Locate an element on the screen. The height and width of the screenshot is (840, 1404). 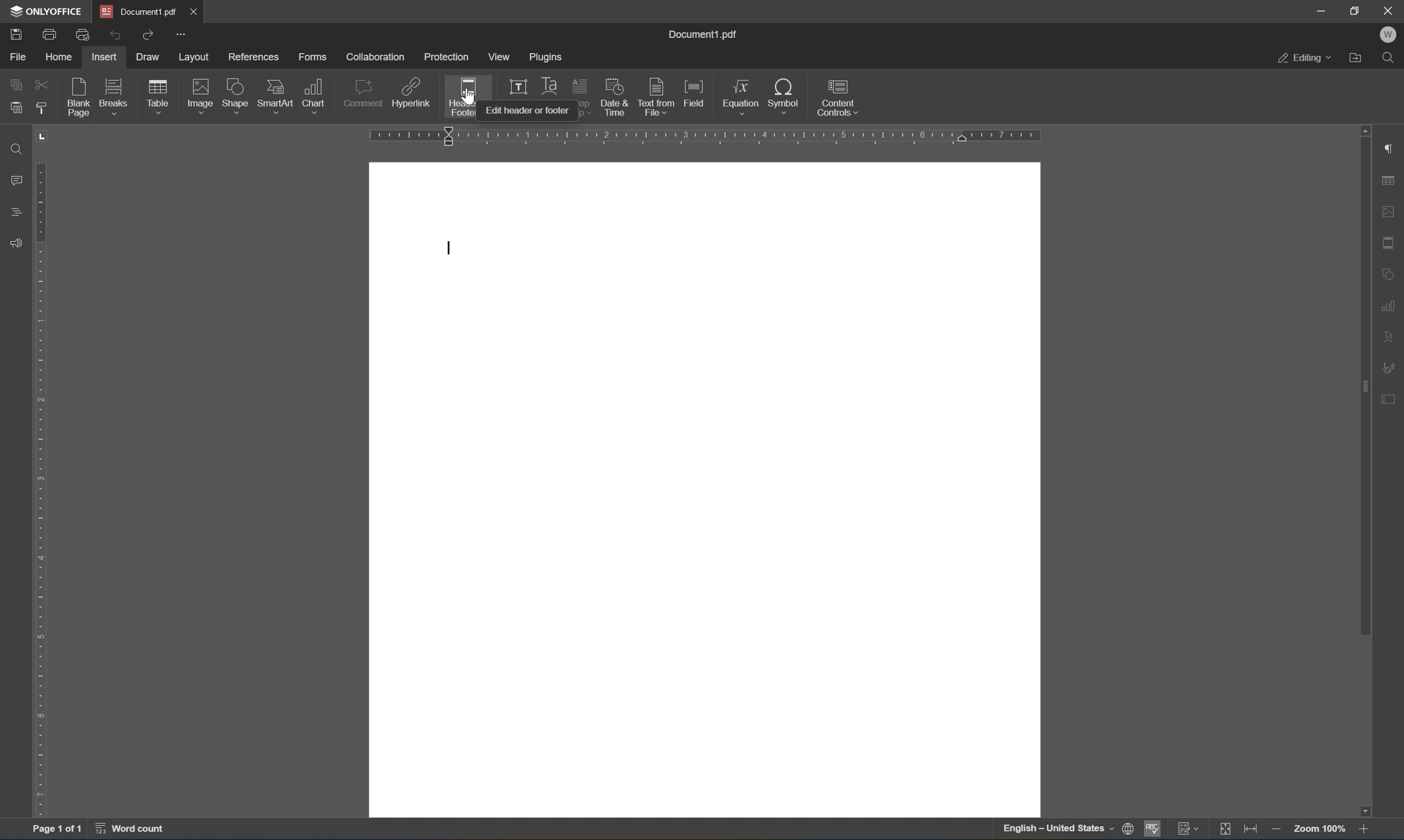
document.pdf is located at coordinates (140, 11).